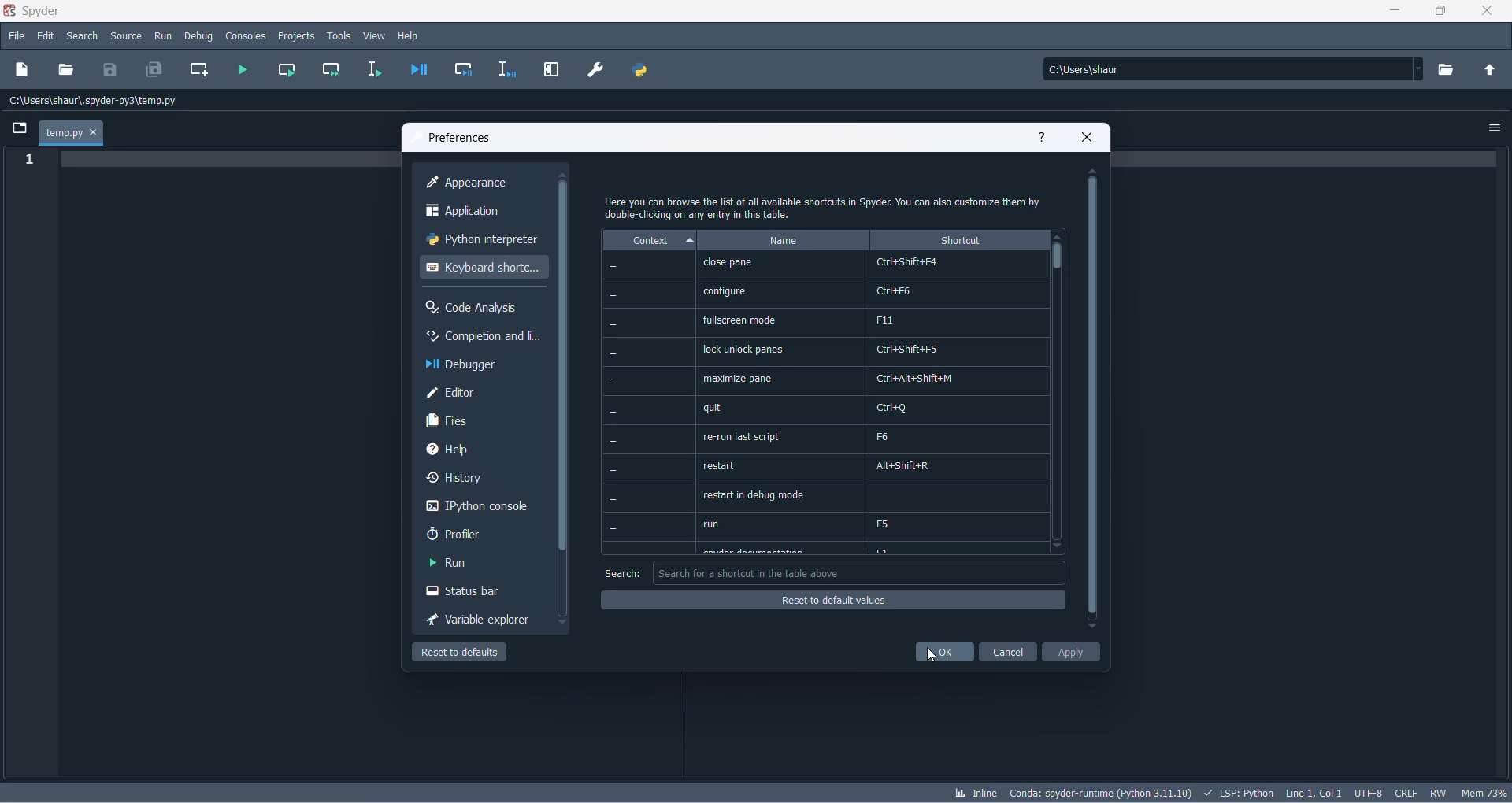 The image size is (1512, 803). Describe the element at coordinates (1095, 629) in the screenshot. I see `move down` at that location.